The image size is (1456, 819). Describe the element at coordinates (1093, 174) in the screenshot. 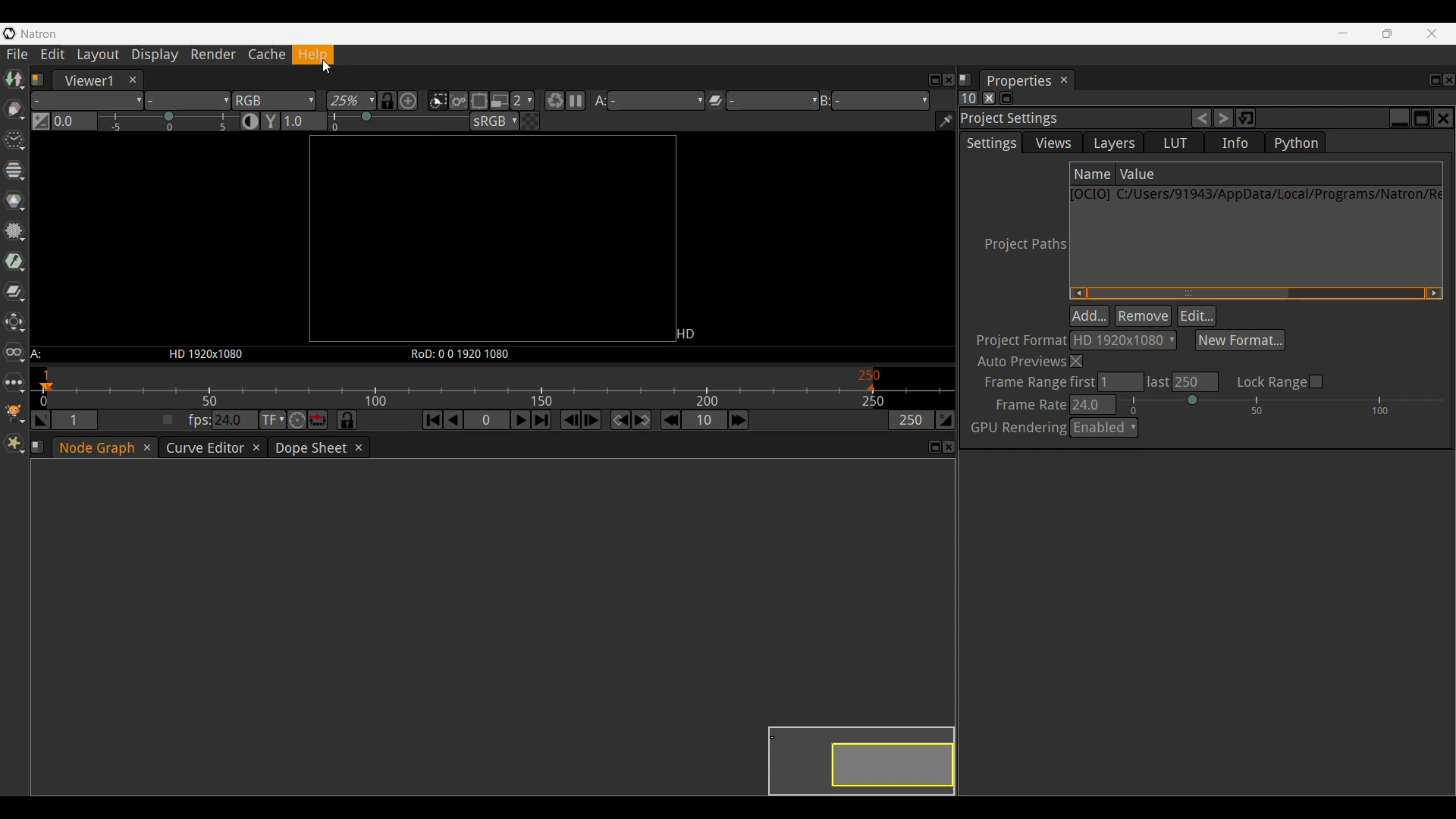

I see `Name ` at that location.